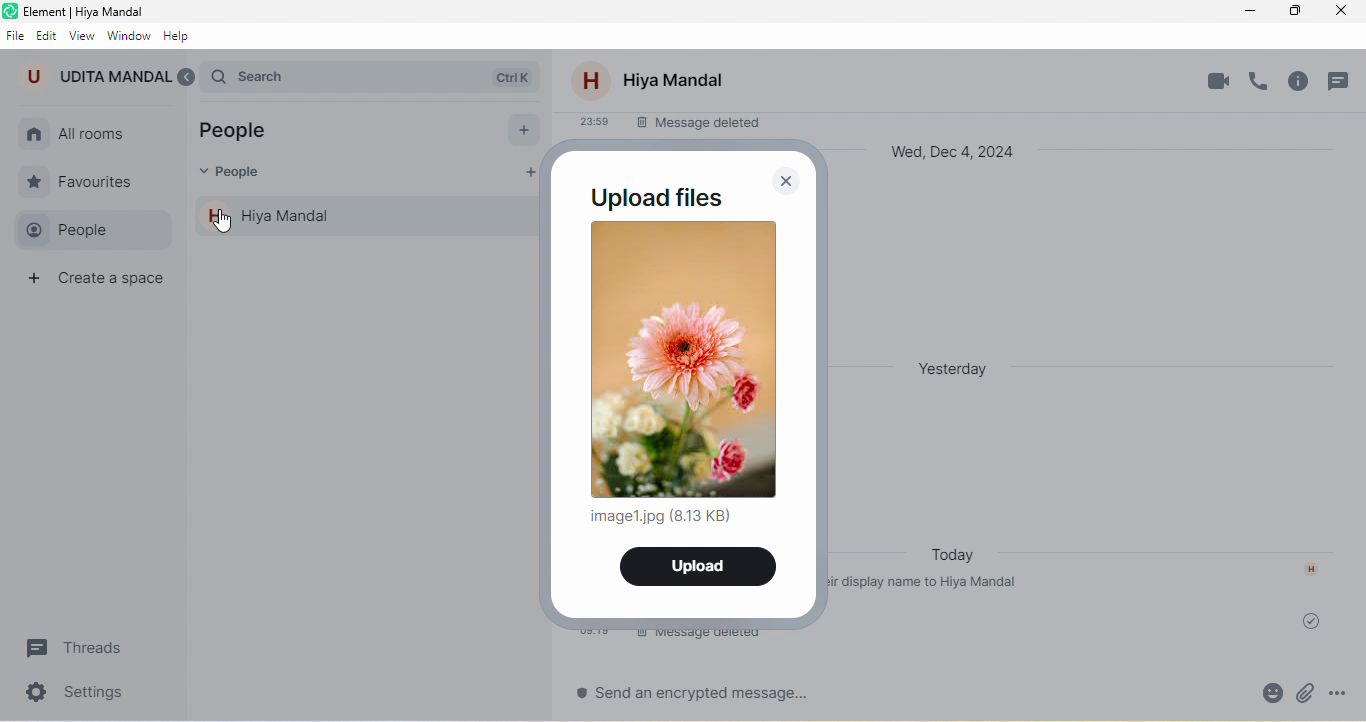 The image size is (1366, 722). What do you see at coordinates (47, 31) in the screenshot?
I see `edit` at bounding box center [47, 31].